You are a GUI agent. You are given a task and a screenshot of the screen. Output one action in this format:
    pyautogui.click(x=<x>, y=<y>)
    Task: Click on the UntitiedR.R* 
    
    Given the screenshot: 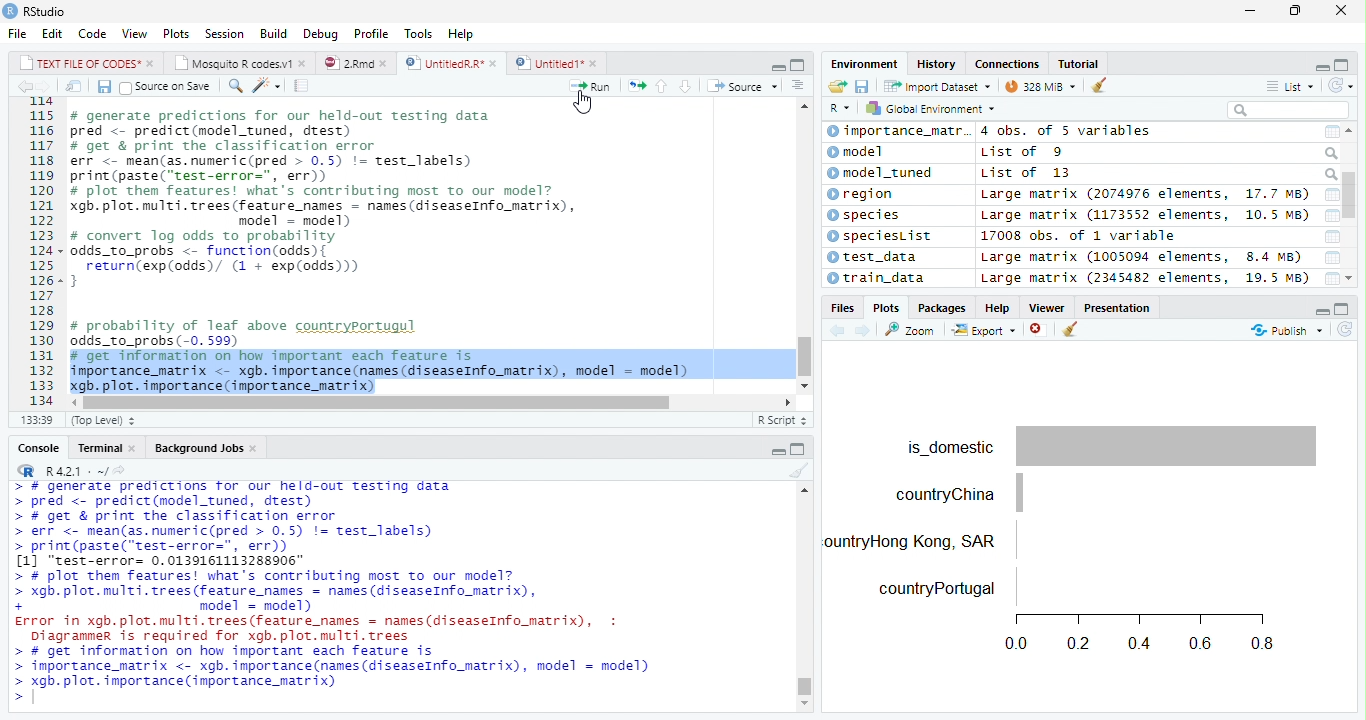 What is the action you would take?
    pyautogui.click(x=451, y=62)
    